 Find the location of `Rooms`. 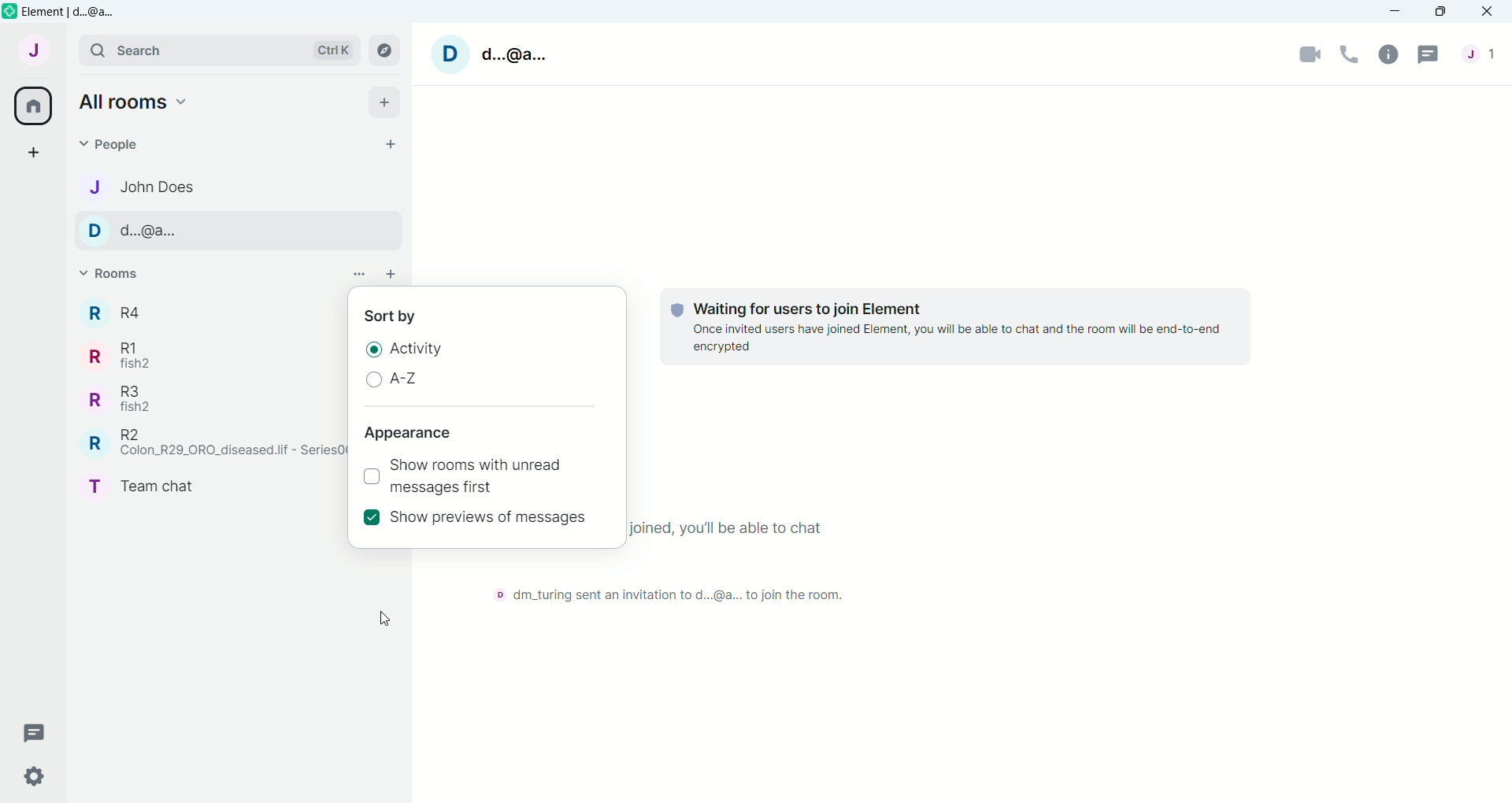

Rooms is located at coordinates (121, 273).